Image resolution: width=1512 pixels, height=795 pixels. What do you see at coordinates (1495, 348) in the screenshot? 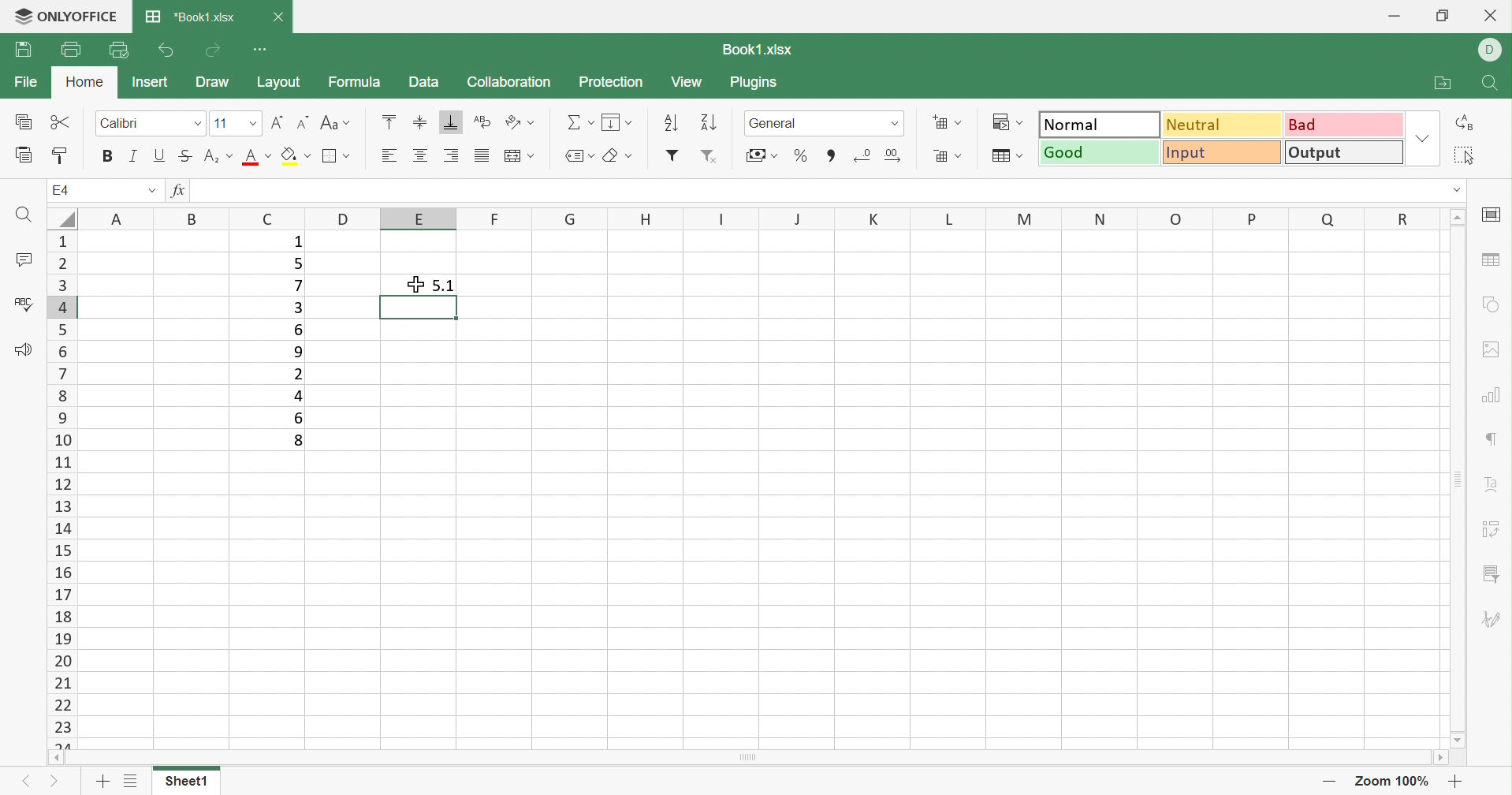
I see `Image settings` at bounding box center [1495, 348].